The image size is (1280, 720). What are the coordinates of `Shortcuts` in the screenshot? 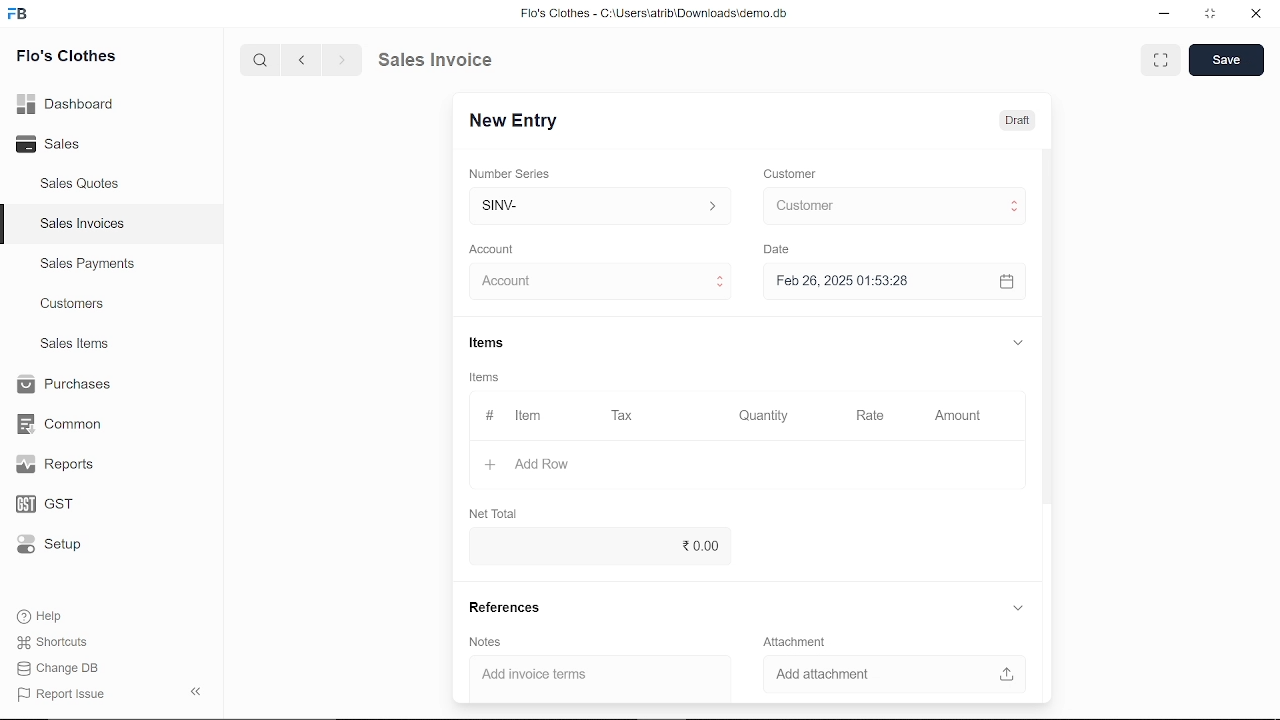 It's located at (63, 643).